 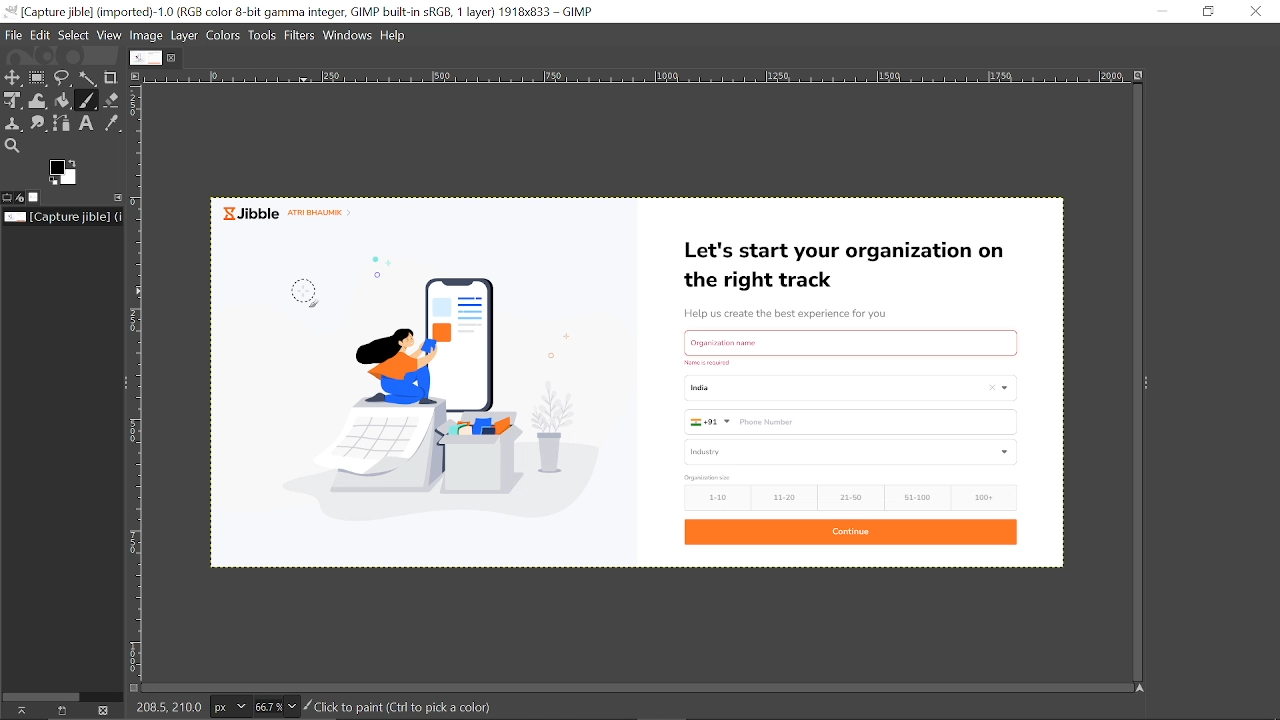 I want to click on This this image, so click(x=103, y=711).